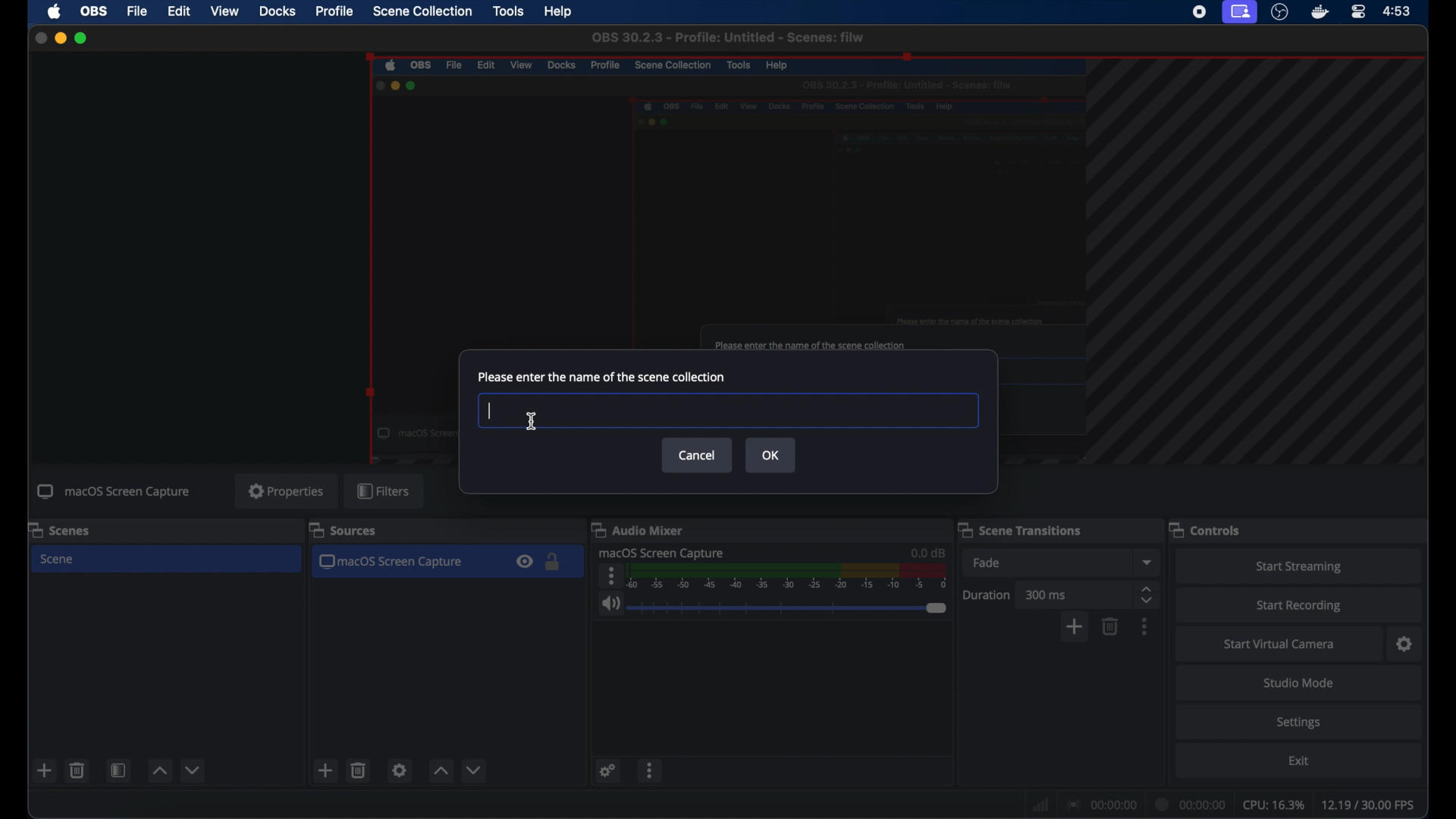 This screenshot has height=819, width=1456. What do you see at coordinates (358, 770) in the screenshot?
I see `trash` at bounding box center [358, 770].